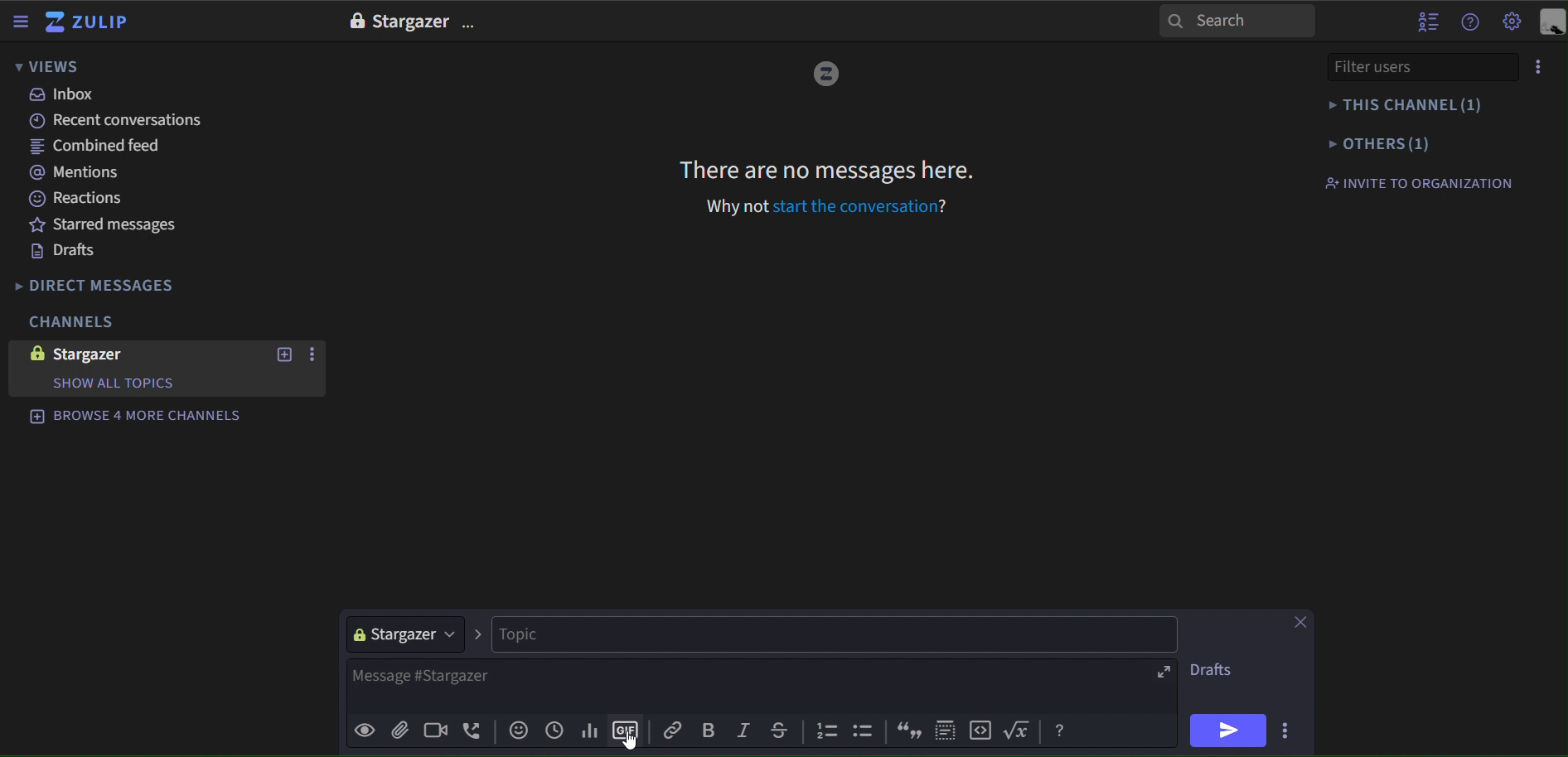 Image resolution: width=1568 pixels, height=757 pixels. I want to click on gif, so click(627, 727).